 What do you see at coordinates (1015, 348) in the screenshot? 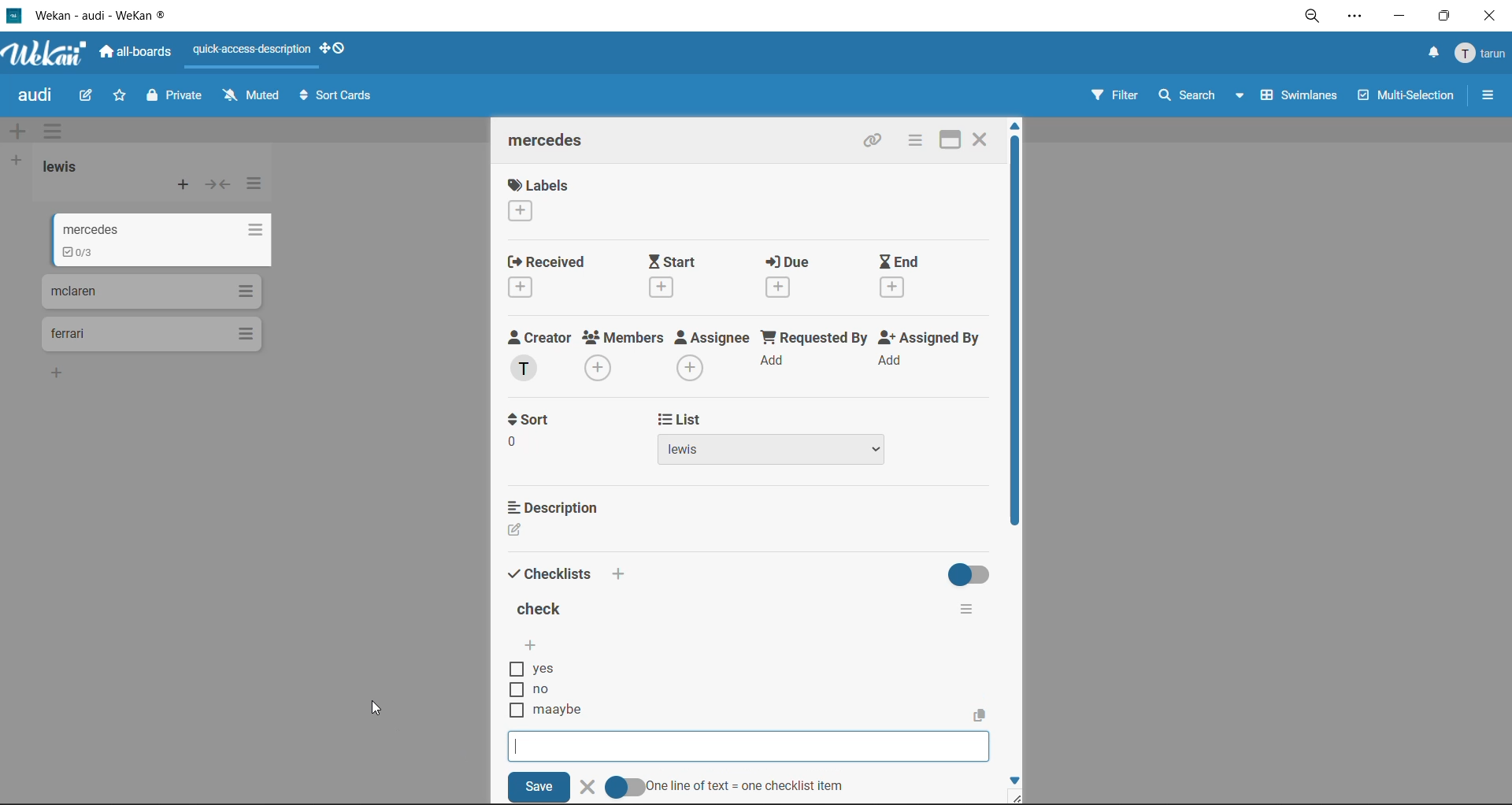
I see `vertical scroll bar` at bounding box center [1015, 348].